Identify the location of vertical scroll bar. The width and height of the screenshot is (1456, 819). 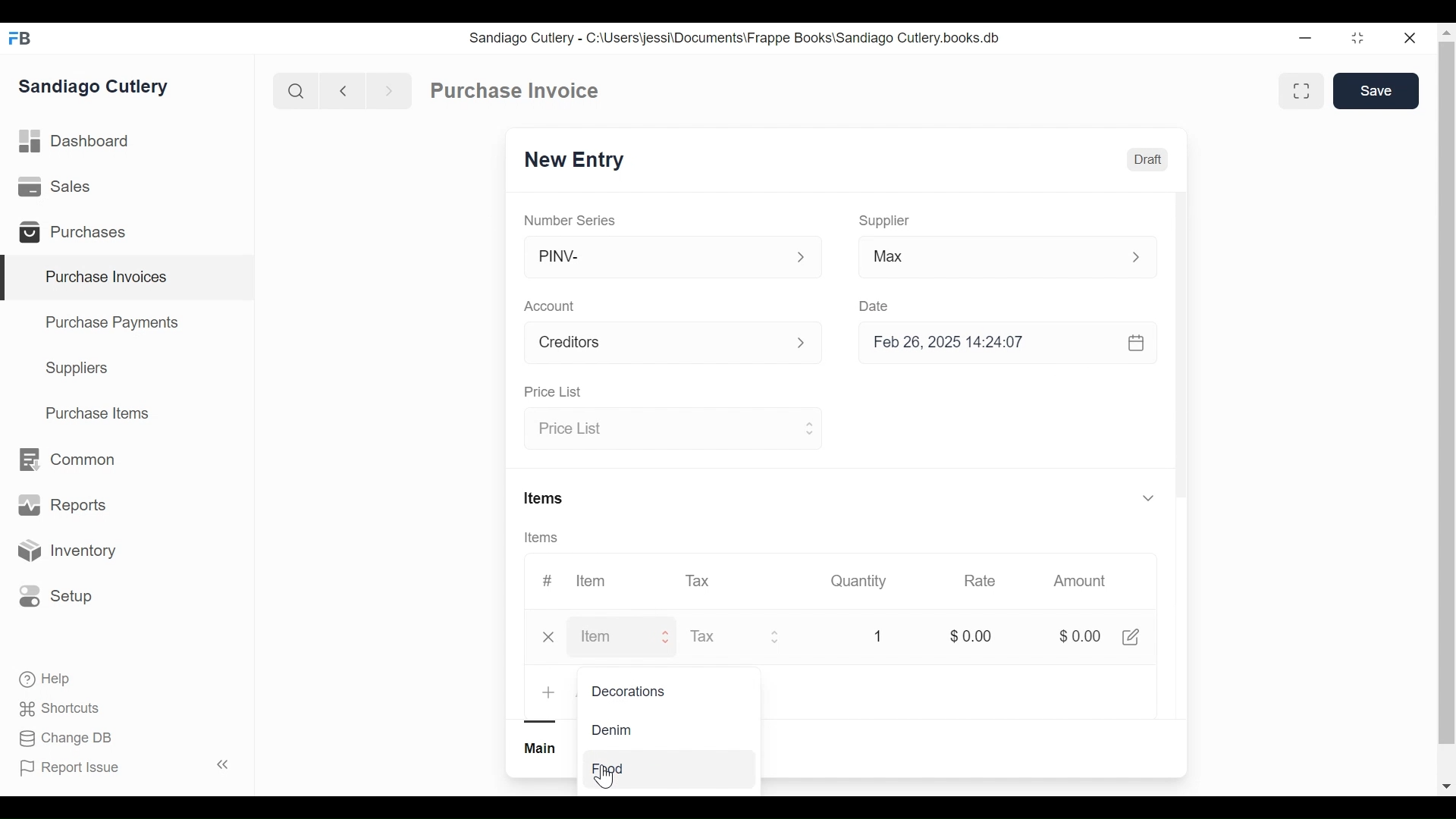
(1447, 393).